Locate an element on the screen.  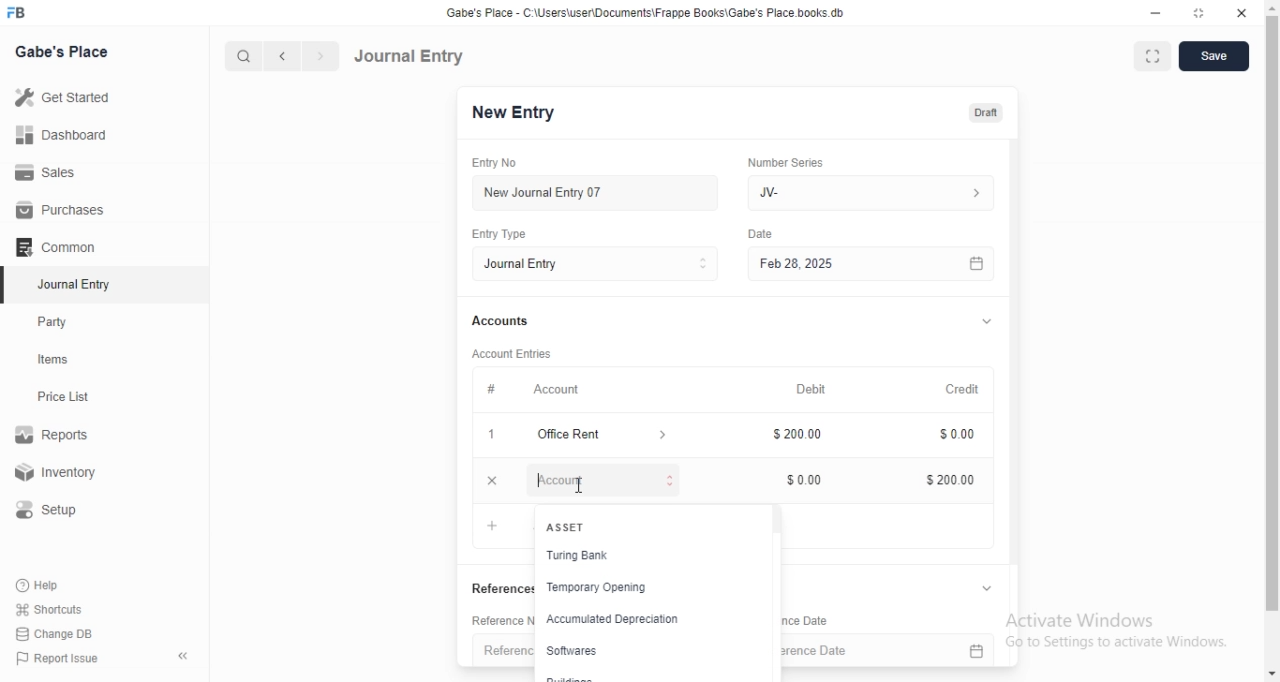
restore is located at coordinates (1201, 11).